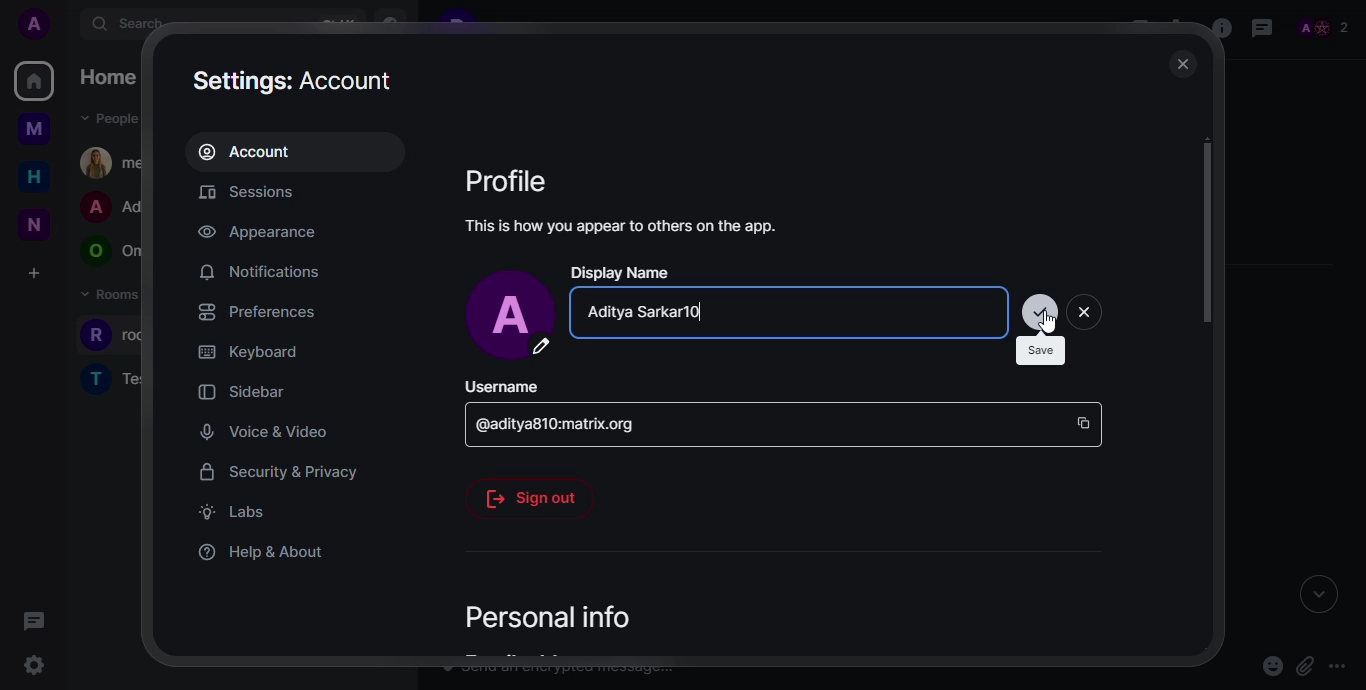 The height and width of the screenshot is (690, 1366). I want to click on close, so click(1089, 312).